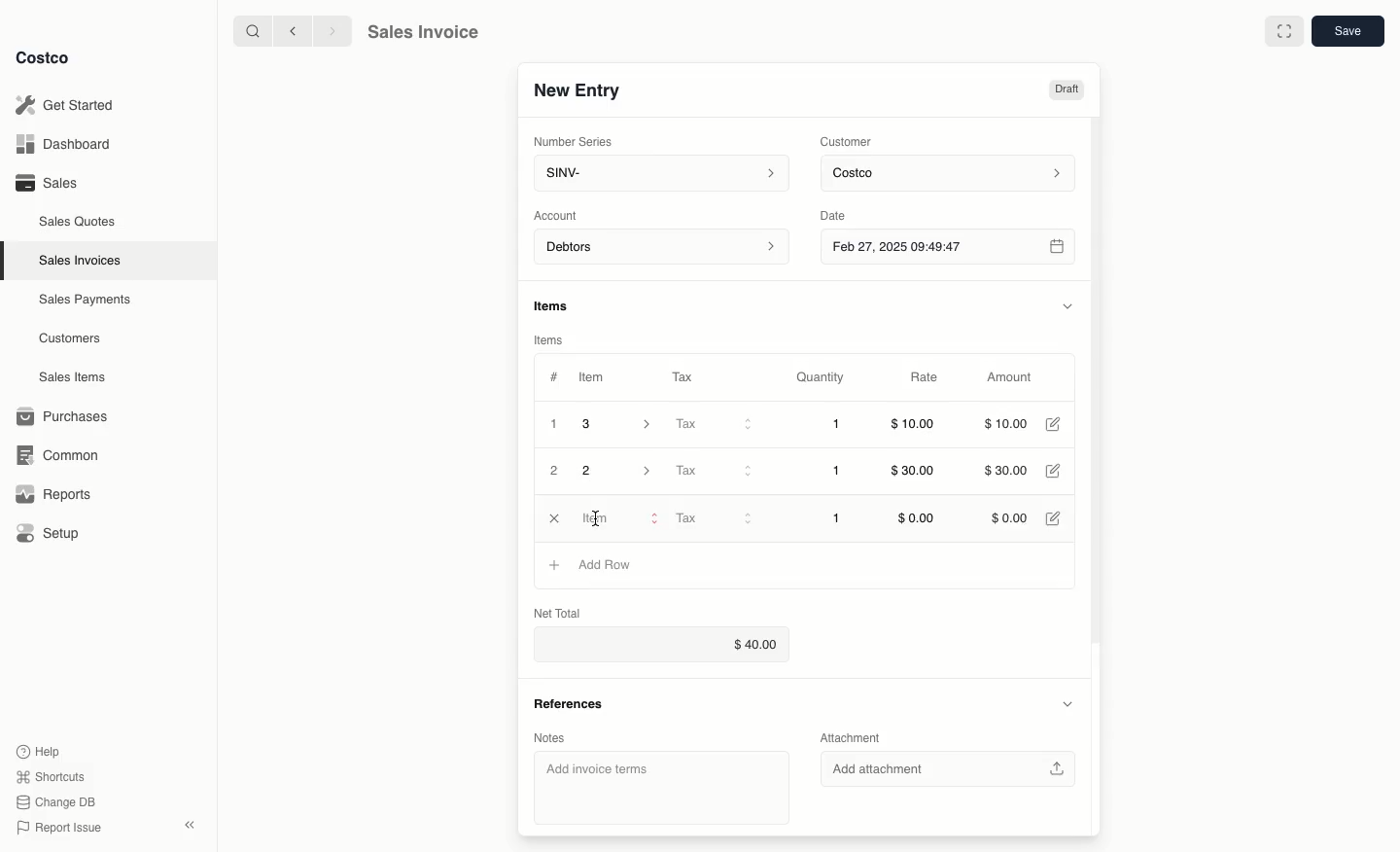  What do you see at coordinates (58, 799) in the screenshot?
I see `Change DB` at bounding box center [58, 799].